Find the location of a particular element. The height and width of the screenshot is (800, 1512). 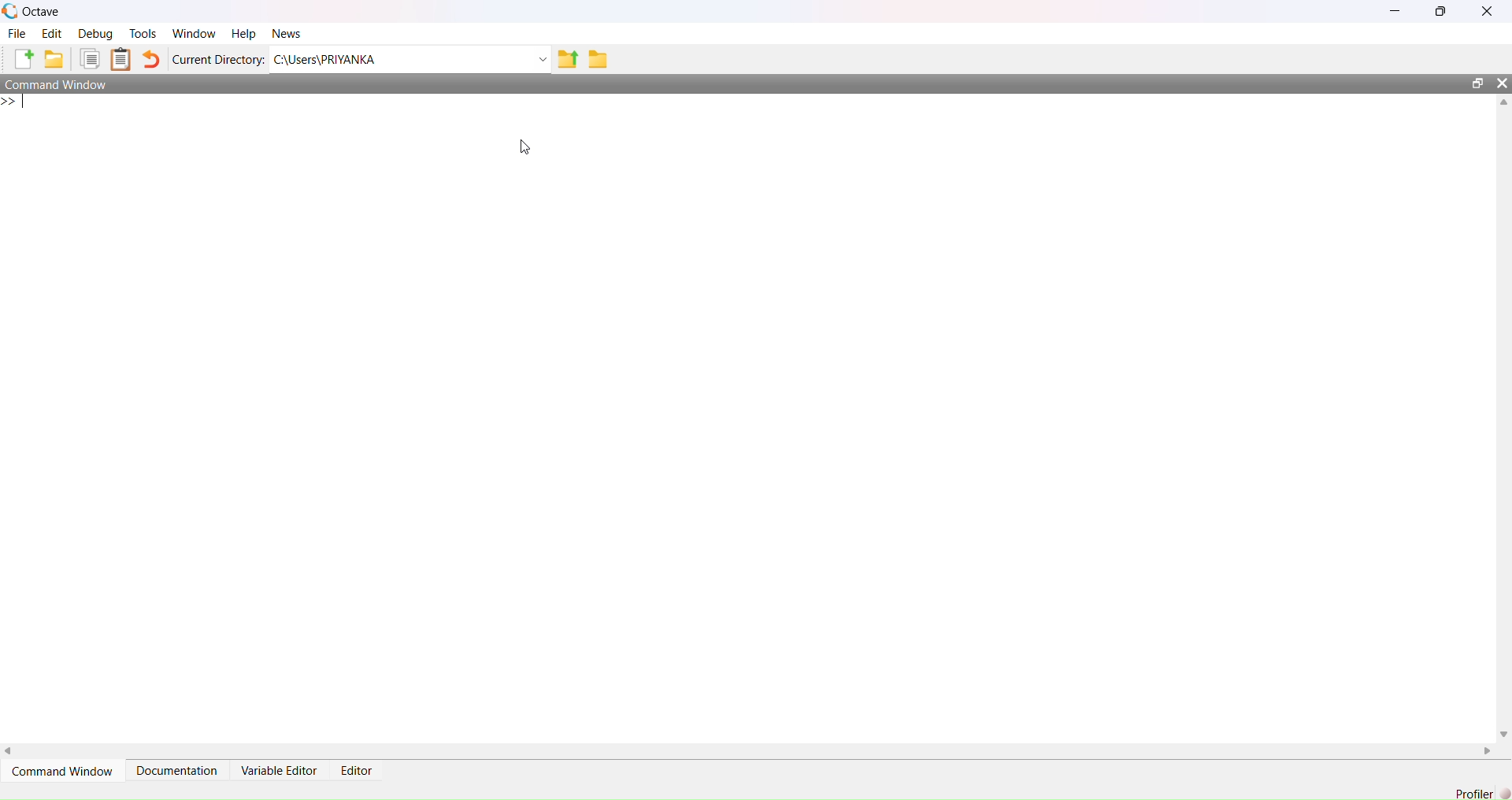

New script is located at coordinates (24, 59).